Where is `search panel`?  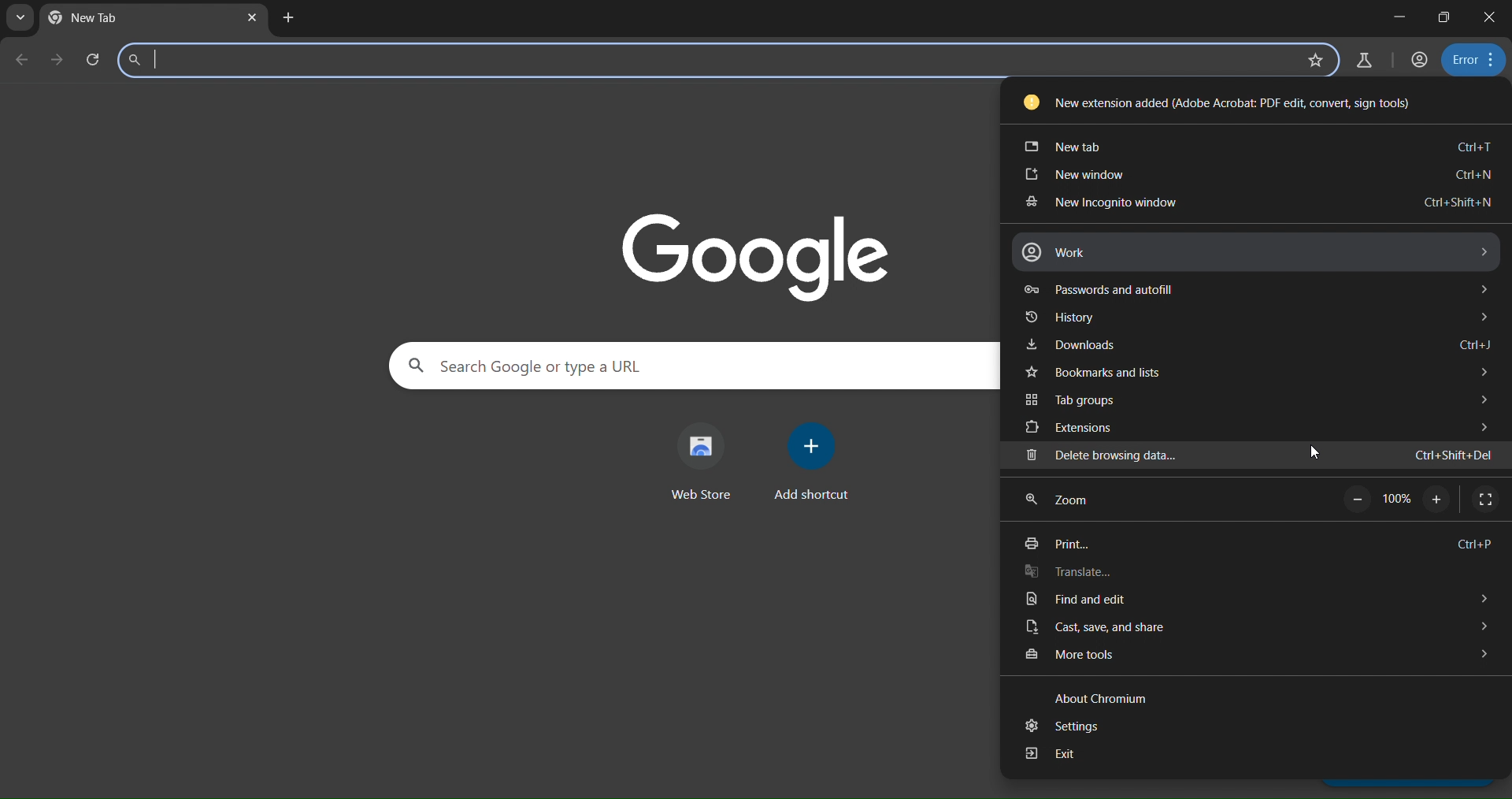
search panel is located at coordinates (93, 59).